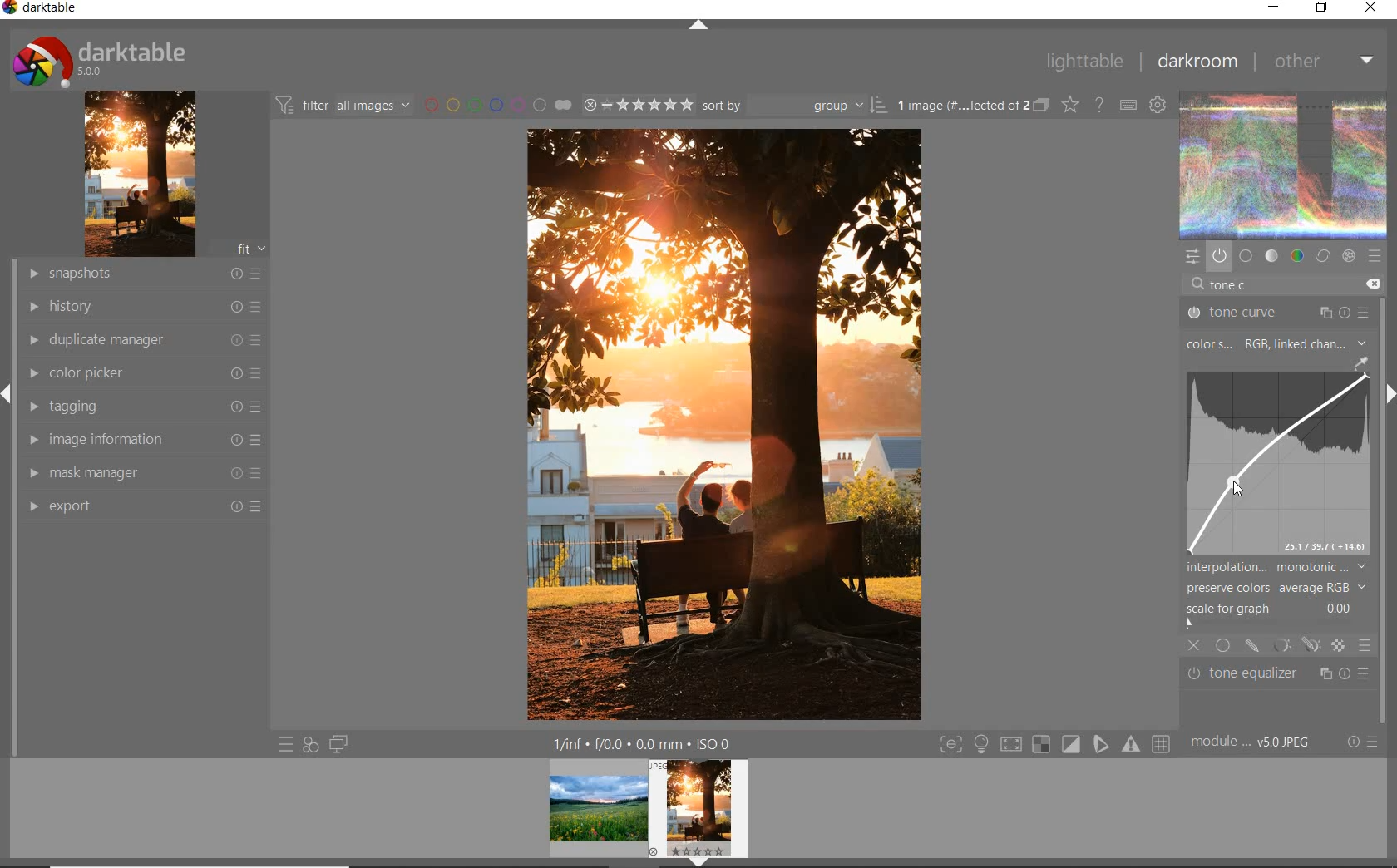  Describe the element at coordinates (141, 405) in the screenshot. I see `tagging` at that location.